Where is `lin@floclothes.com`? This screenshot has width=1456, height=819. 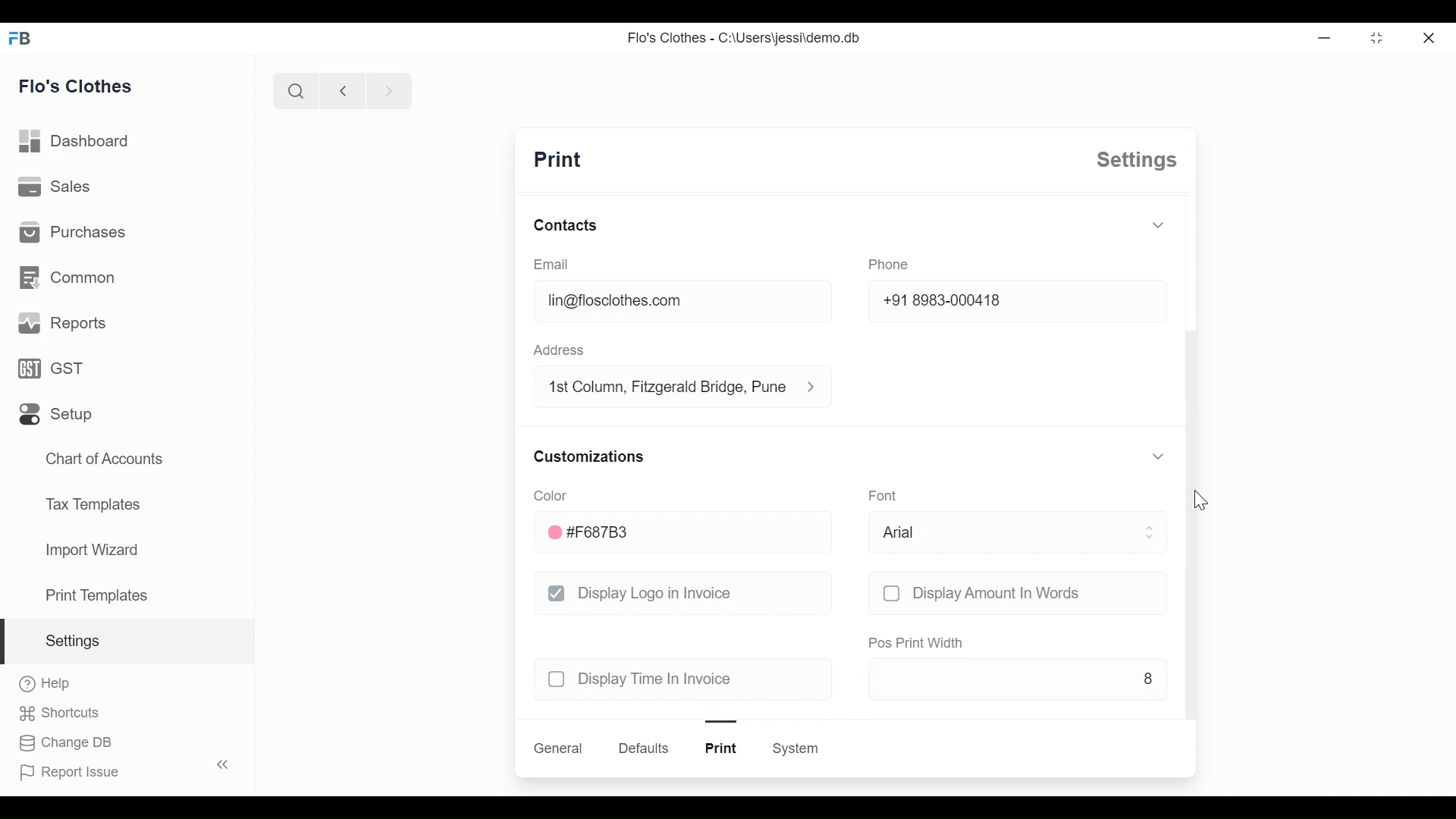
lin@floclothes.com is located at coordinates (684, 300).